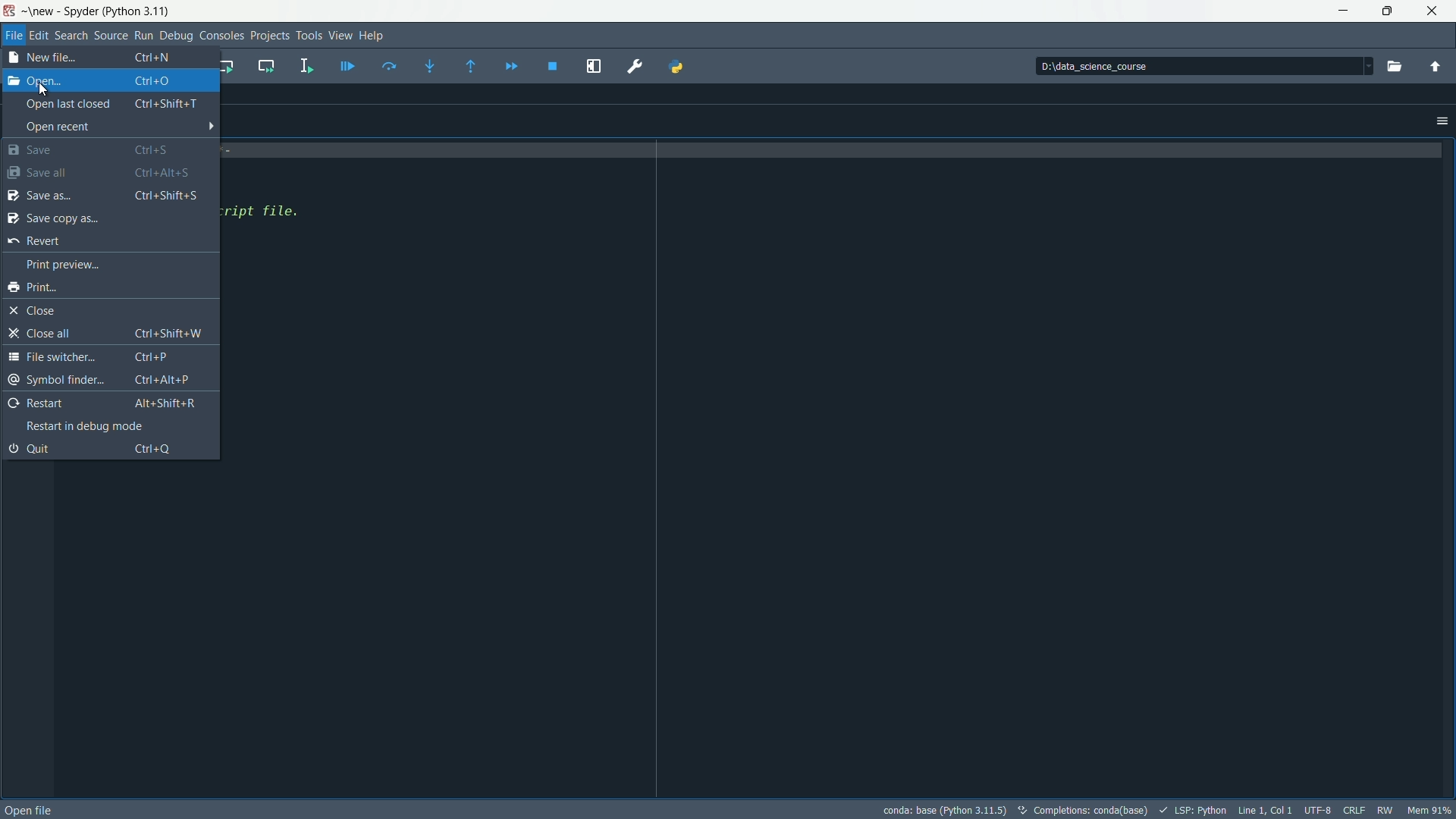 The width and height of the screenshot is (1456, 819). Describe the element at coordinates (121, 125) in the screenshot. I see `open recent` at that location.